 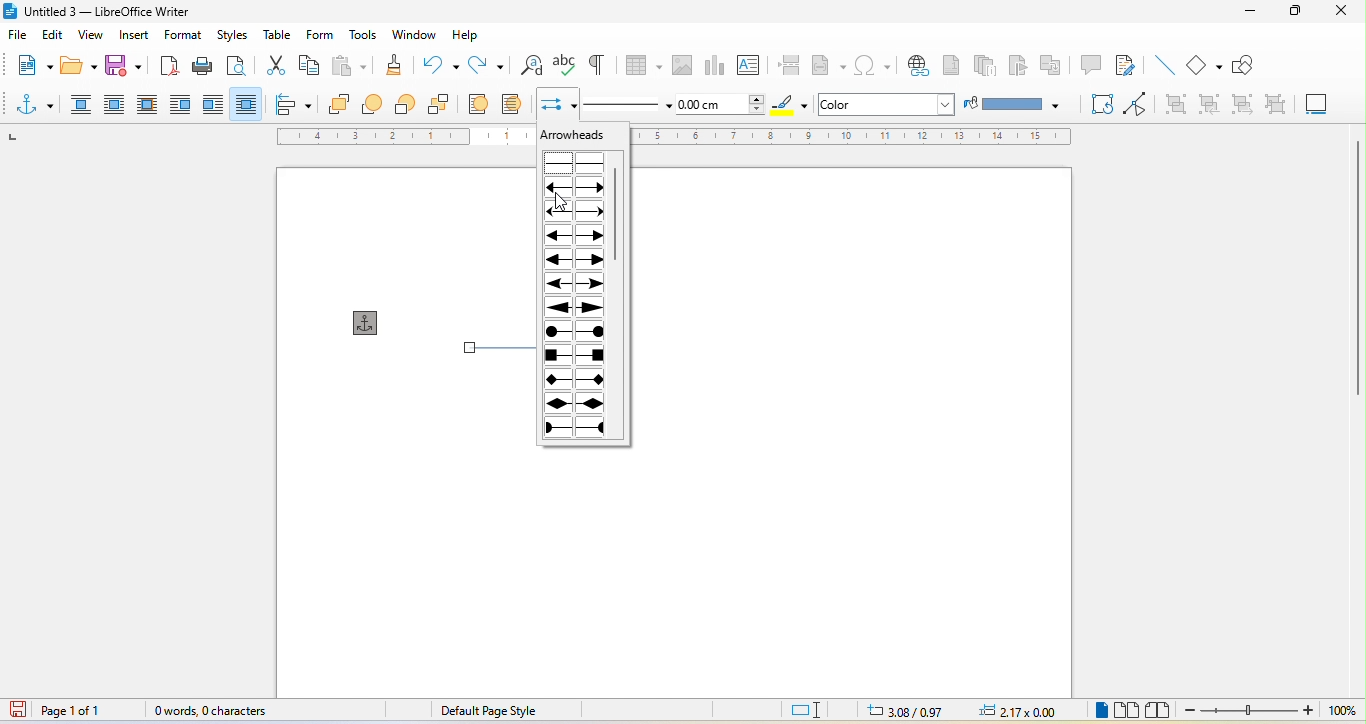 What do you see at coordinates (625, 104) in the screenshot?
I see `line style` at bounding box center [625, 104].